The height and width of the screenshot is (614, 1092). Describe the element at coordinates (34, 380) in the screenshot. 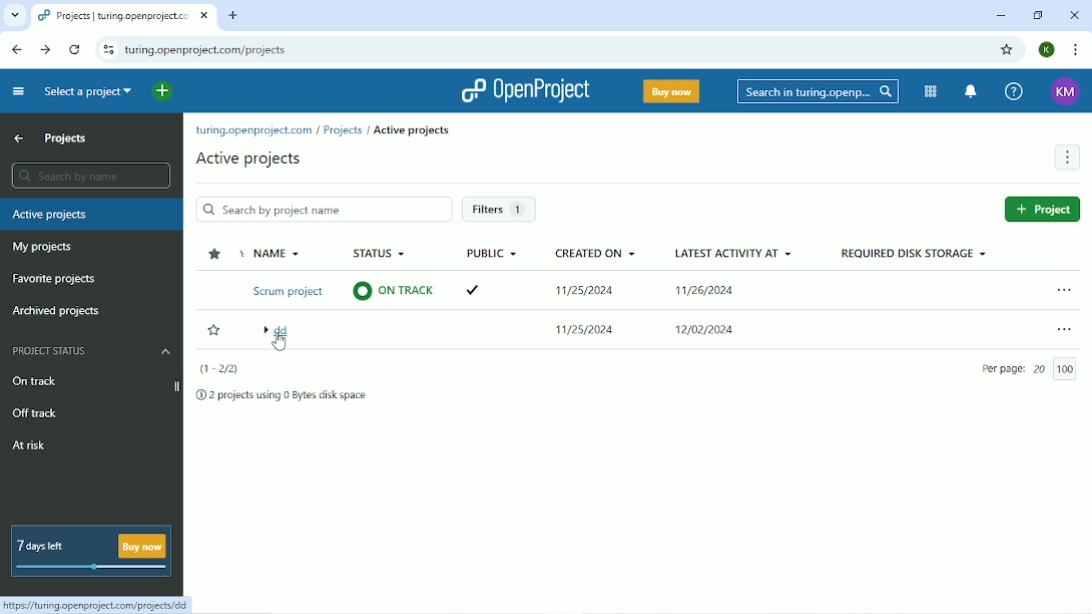

I see `On track` at that location.